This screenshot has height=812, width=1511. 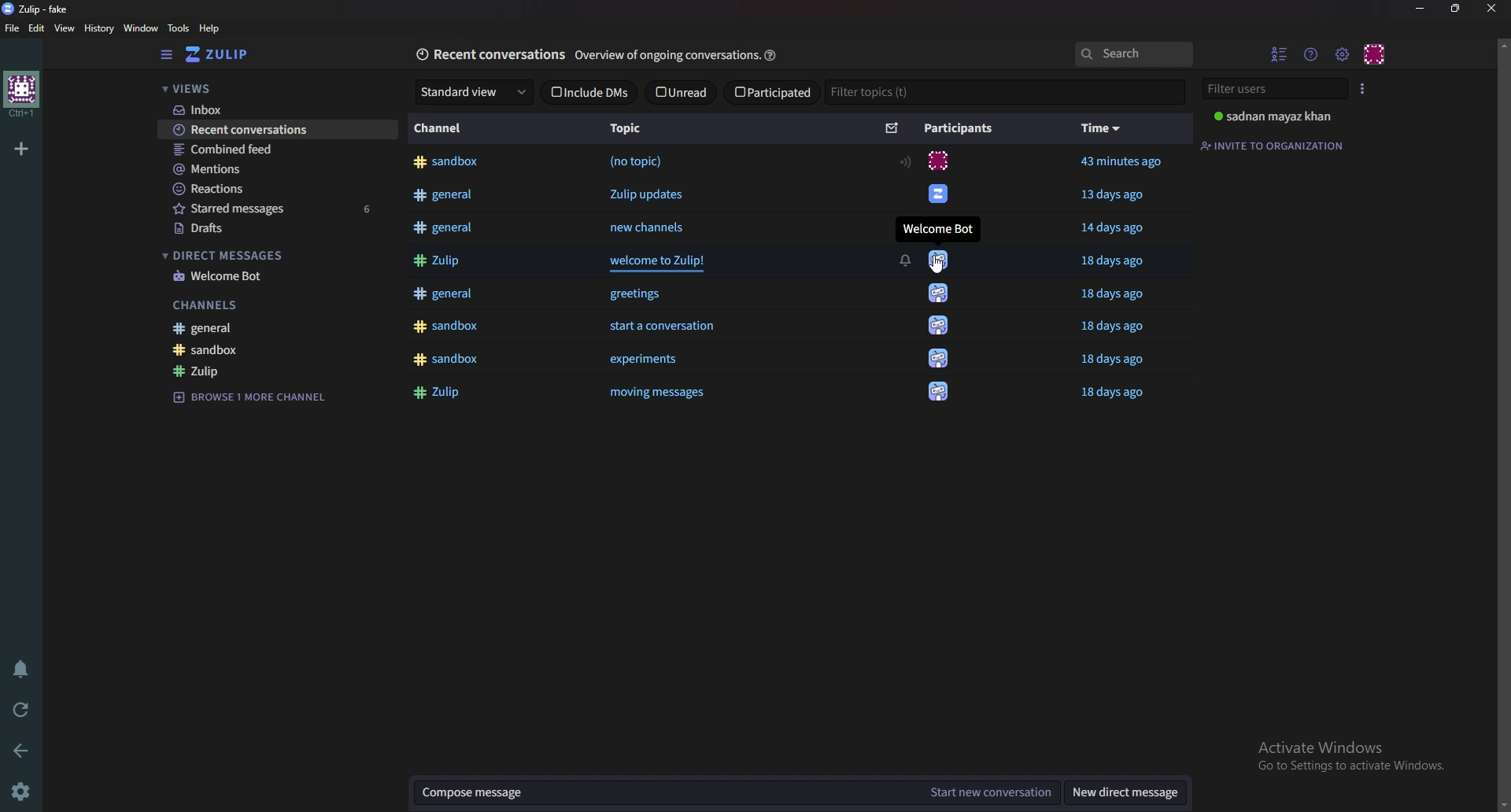 I want to click on Compose message, so click(x=673, y=792).